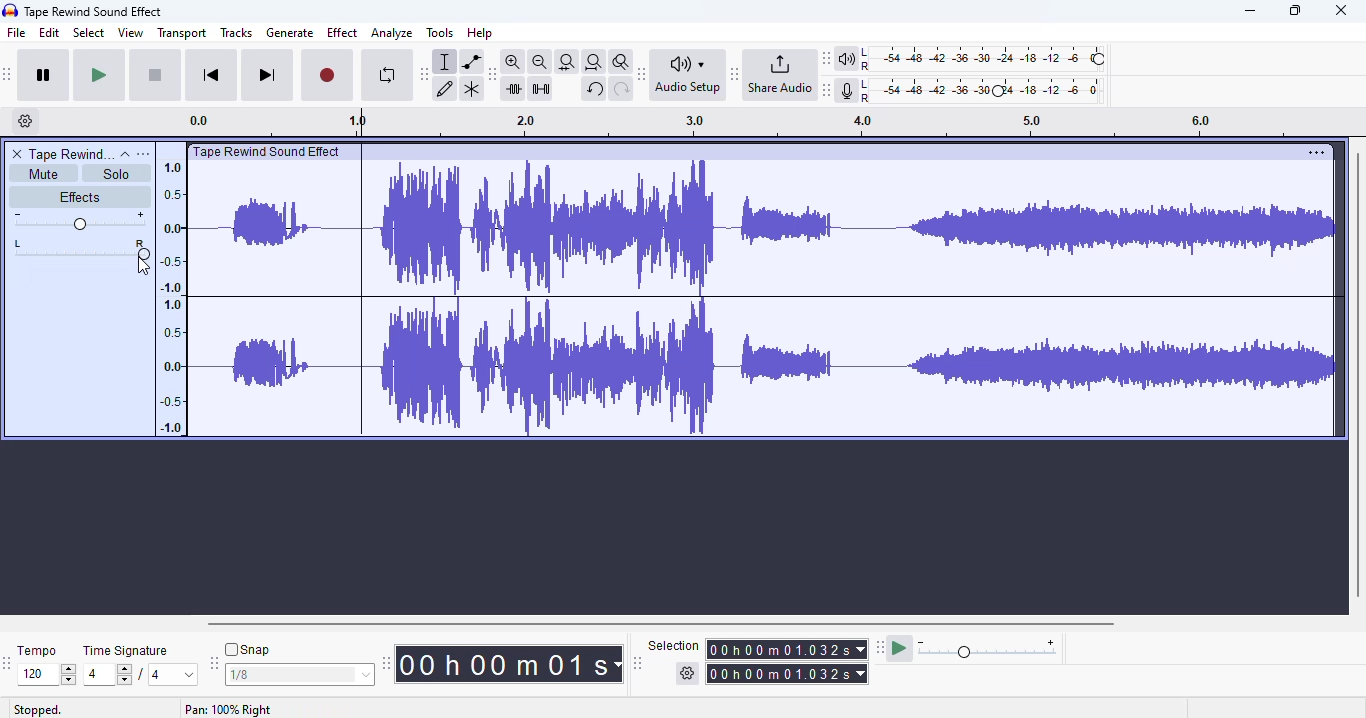 This screenshot has height=718, width=1366. I want to click on timeline, so click(749, 124).